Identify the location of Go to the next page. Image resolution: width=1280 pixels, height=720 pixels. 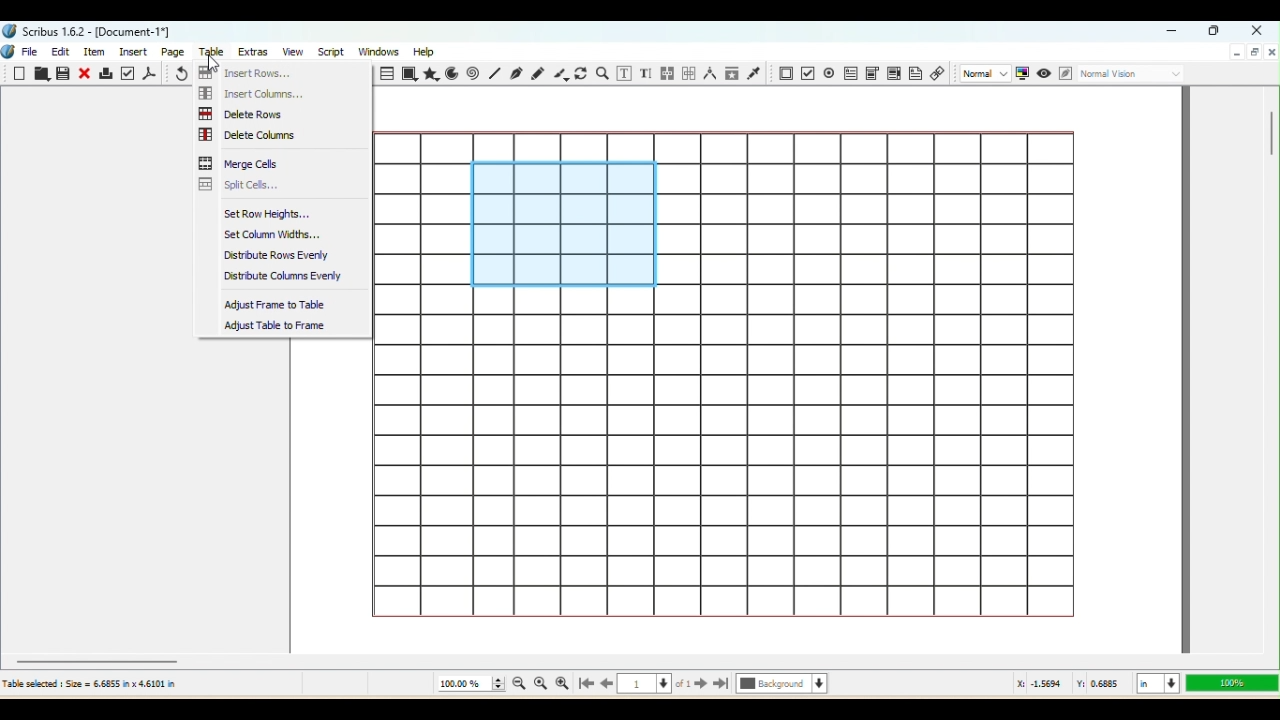
(701, 685).